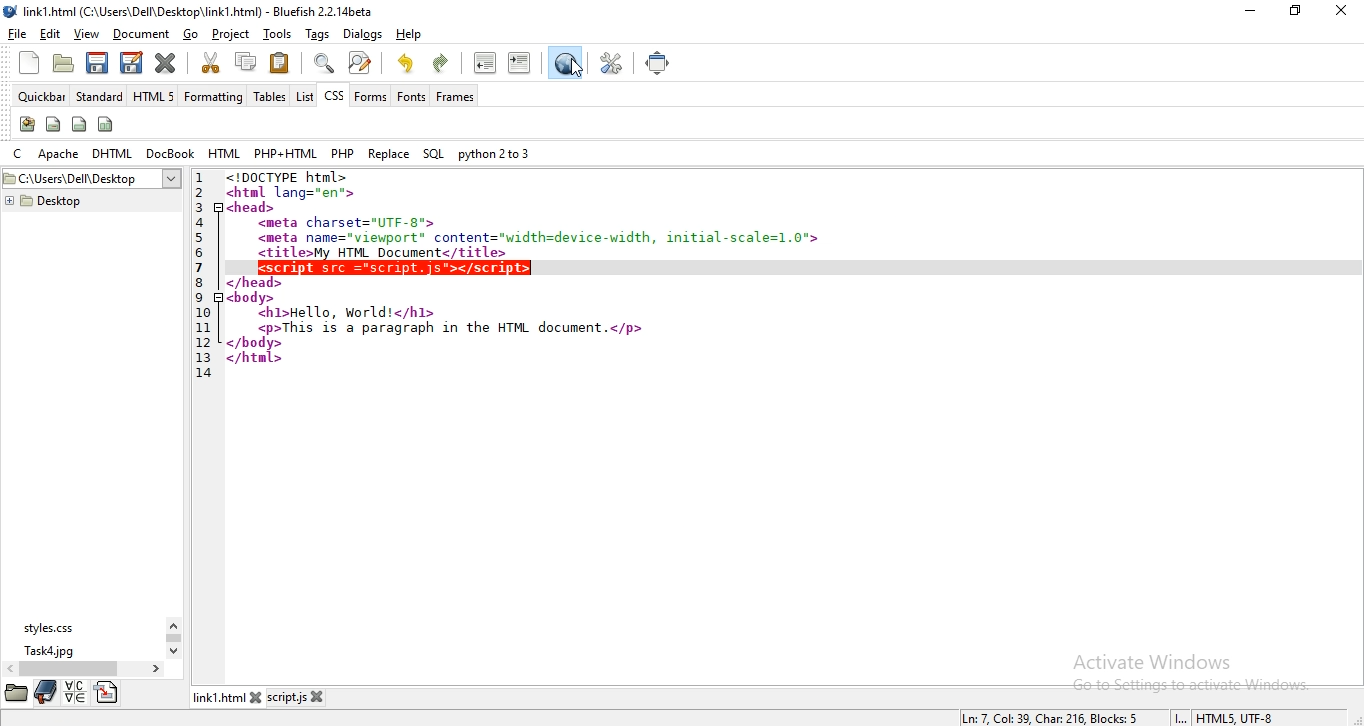 The height and width of the screenshot is (726, 1364). Describe the element at coordinates (203, 358) in the screenshot. I see `13` at that location.